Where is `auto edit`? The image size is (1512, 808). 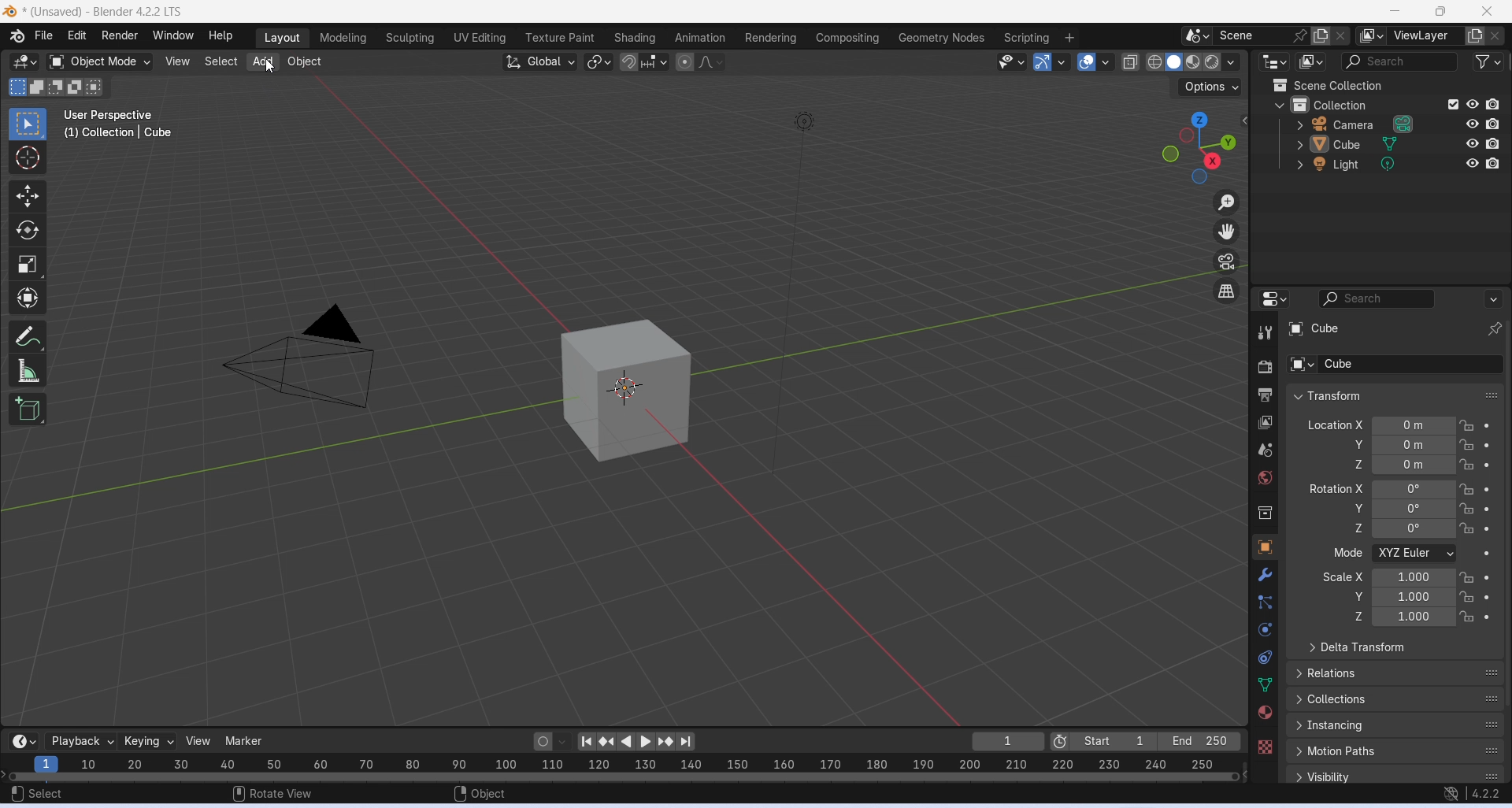
auto edit is located at coordinates (552, 740).